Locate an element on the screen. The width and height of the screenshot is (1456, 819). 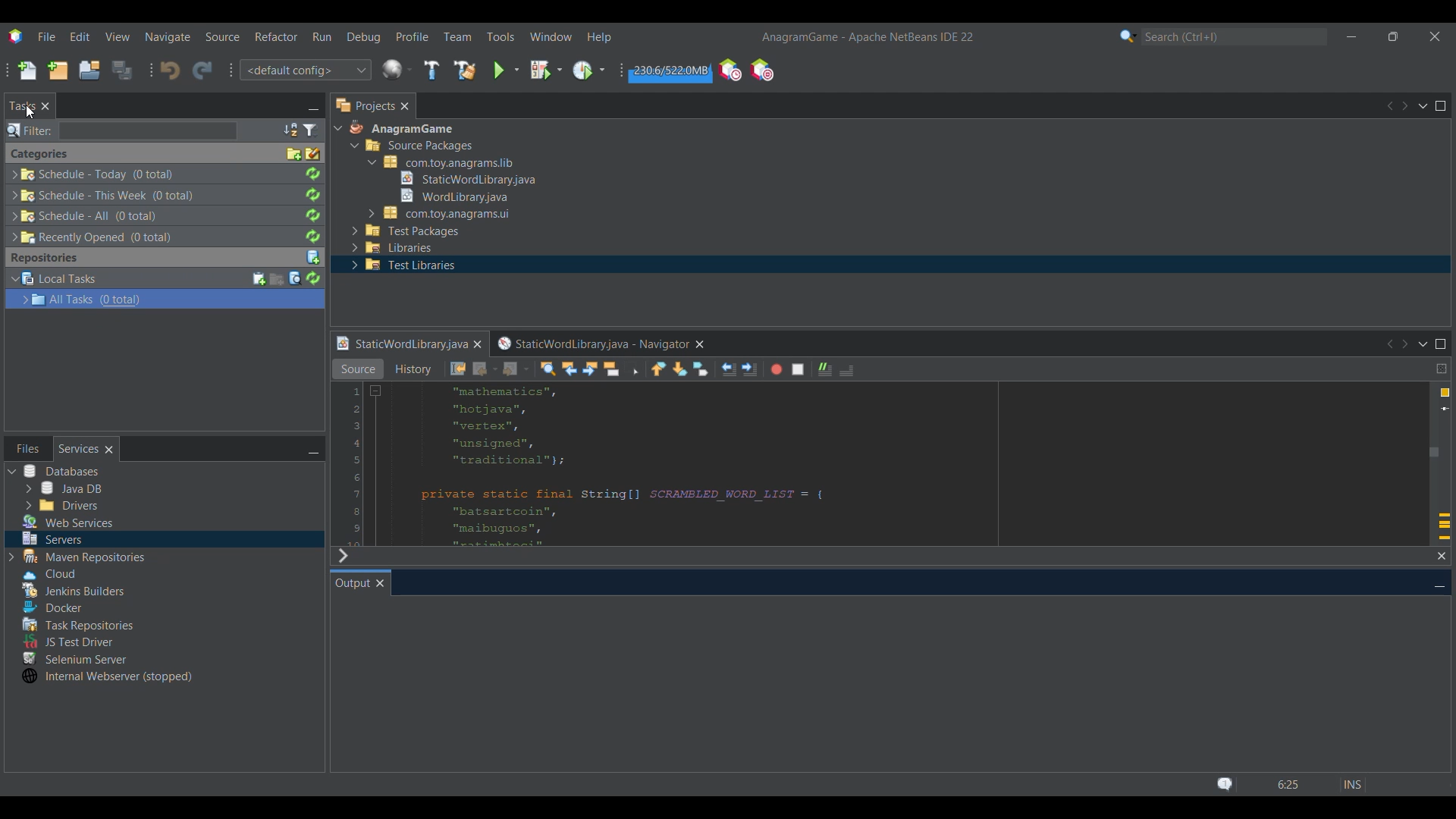
 is located at coordinates (45, 572).